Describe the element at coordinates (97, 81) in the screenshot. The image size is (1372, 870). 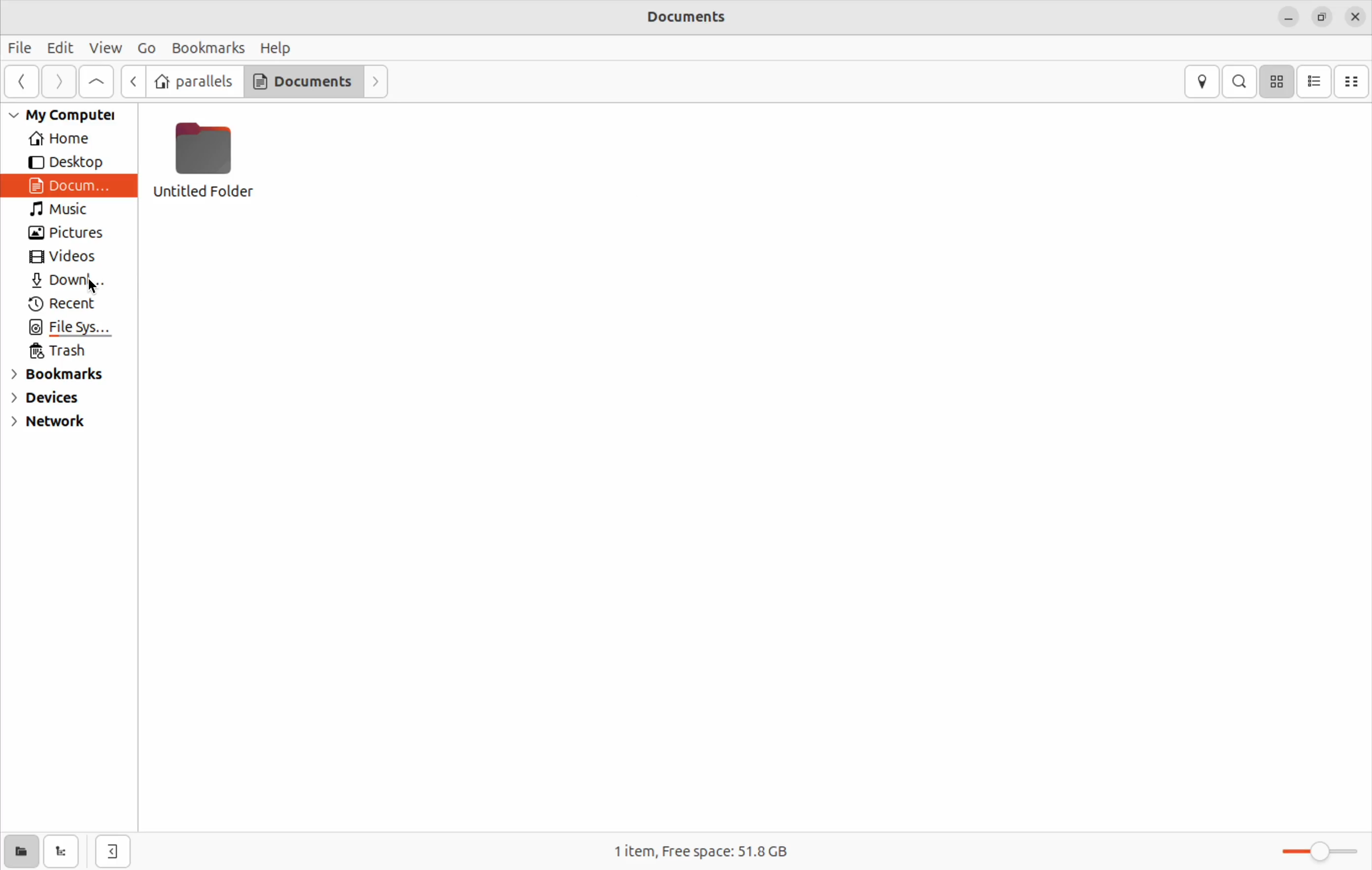
I see `Go up` at that location.